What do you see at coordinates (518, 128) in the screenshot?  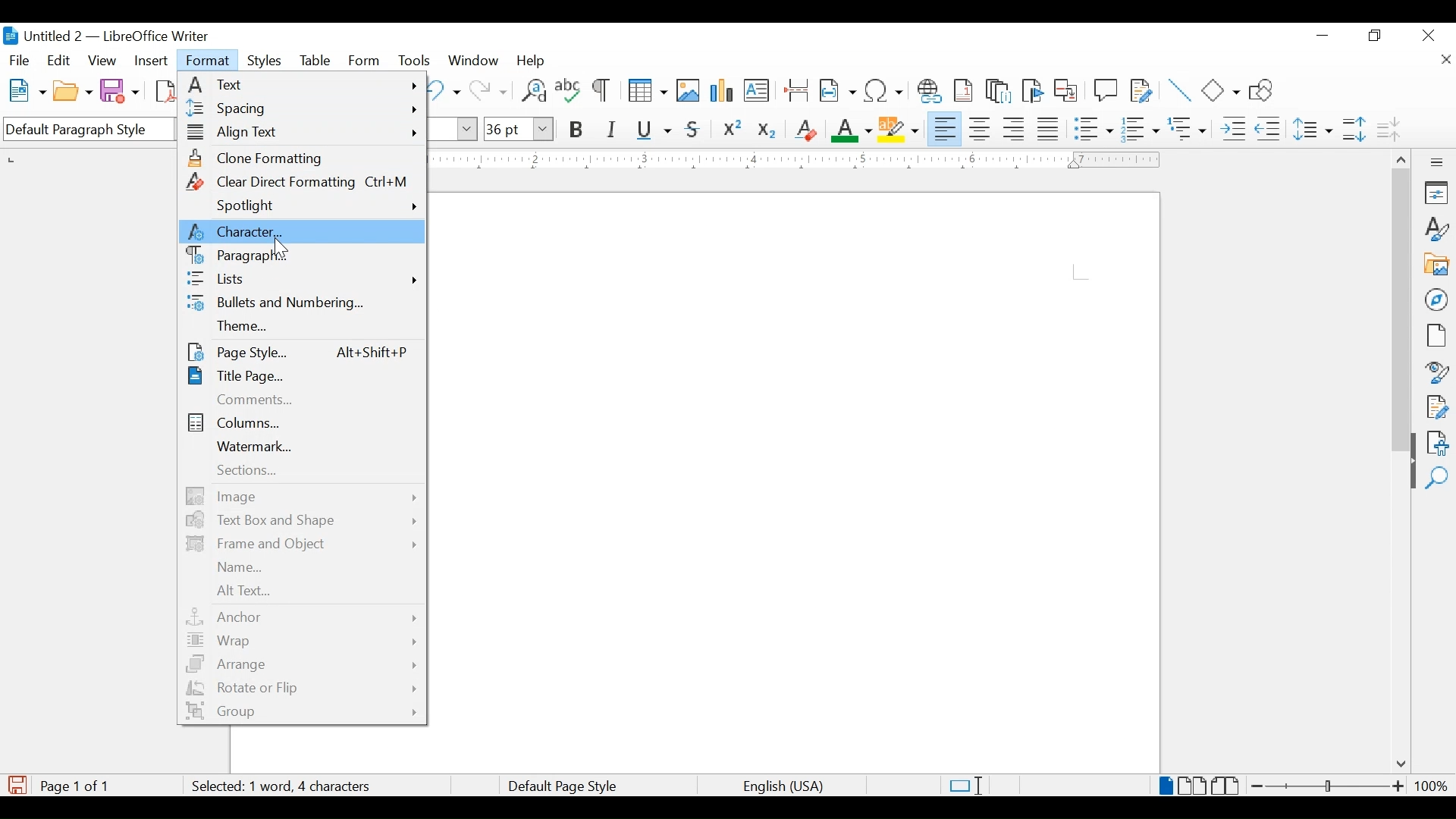 I see `font size` at bounding box center [518, 128].